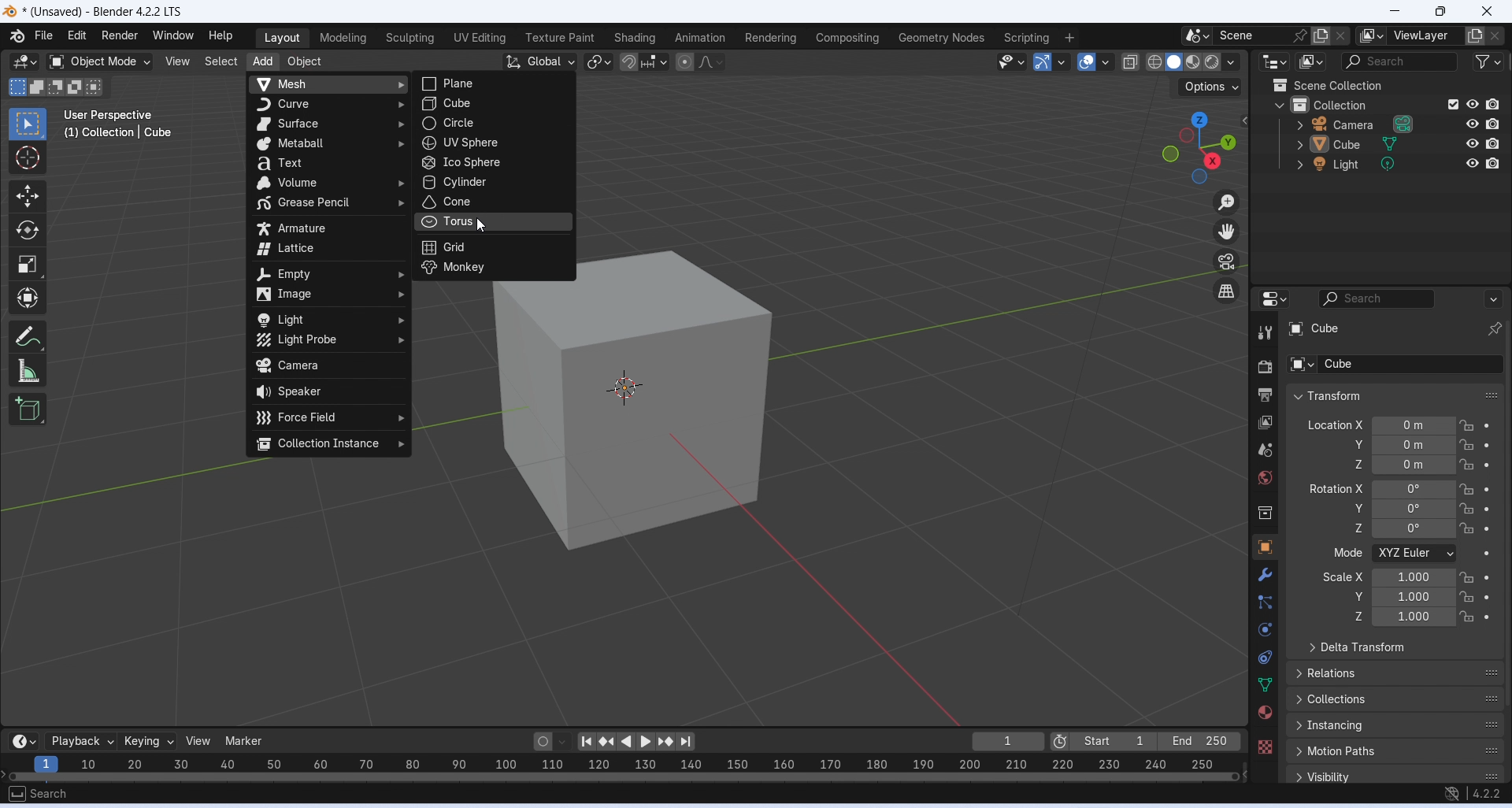 This screenshot has width=1512, height=808. What do you see at coordinates (494, 202) in the screenshot?
I see `cone` at bounding box center [494, 202].